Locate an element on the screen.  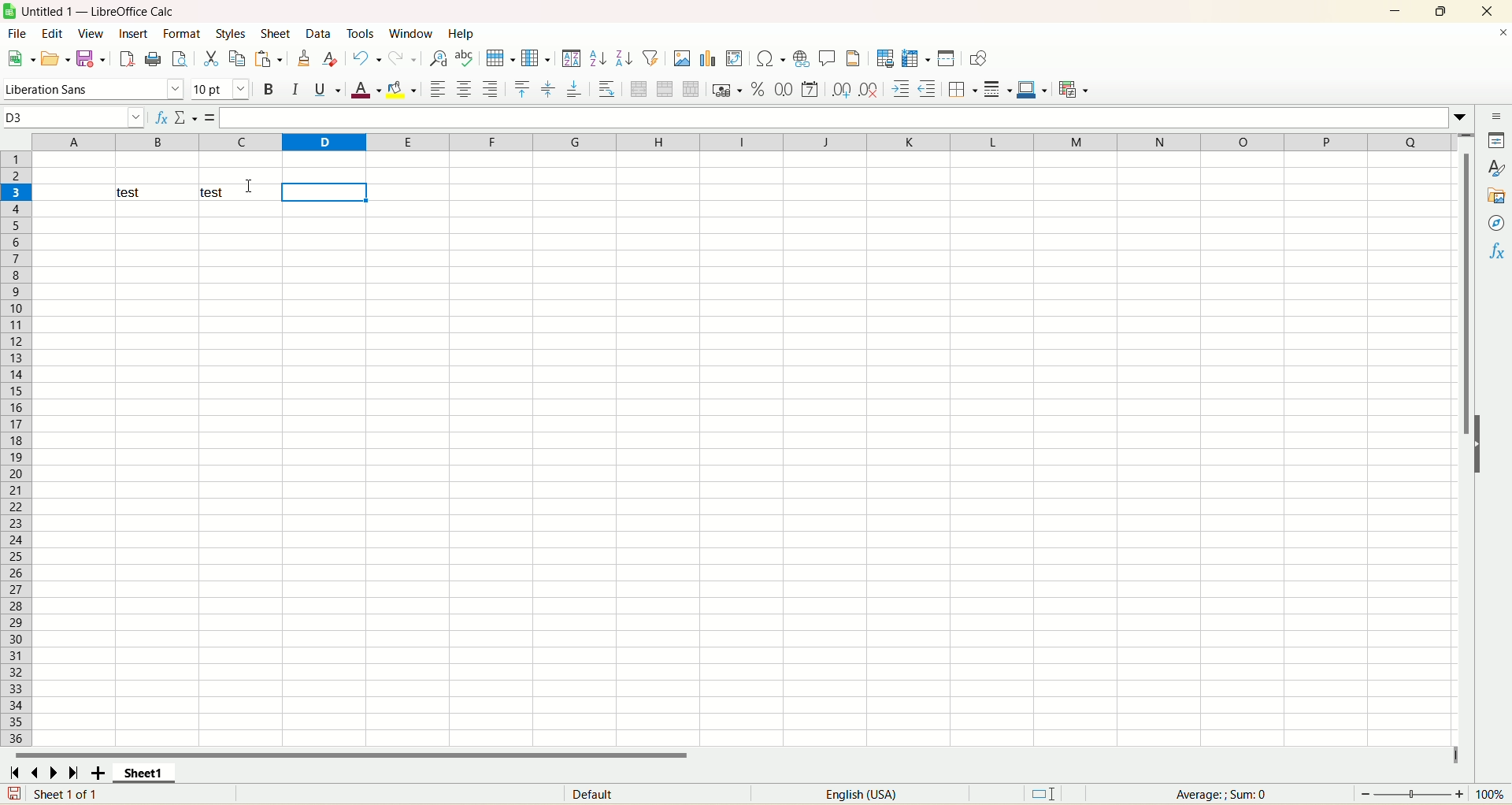
last sheet is located at coordinates (74, 772).